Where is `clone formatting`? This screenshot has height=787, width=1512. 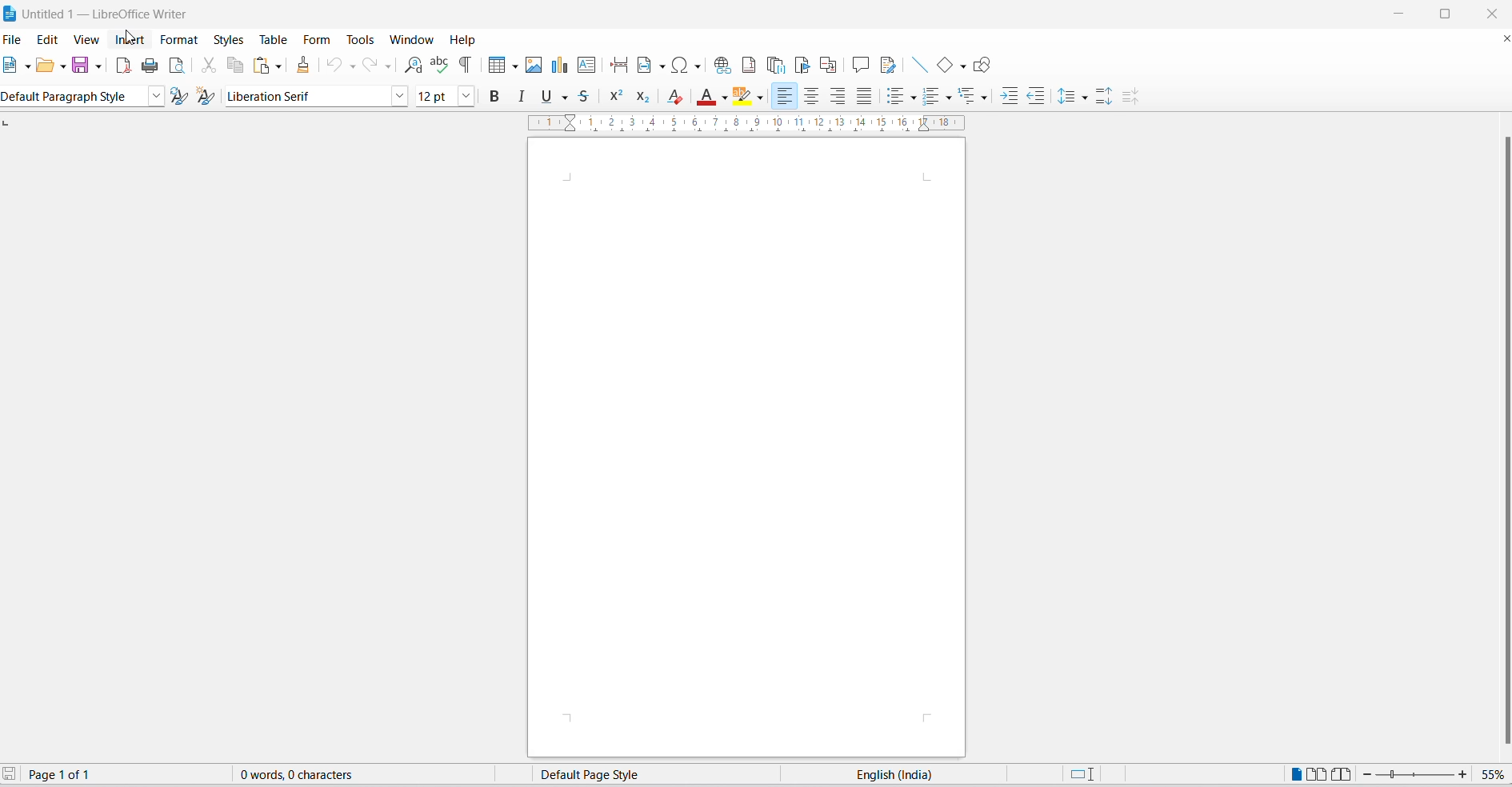
clone formatting is located at coordinates (305, 68).